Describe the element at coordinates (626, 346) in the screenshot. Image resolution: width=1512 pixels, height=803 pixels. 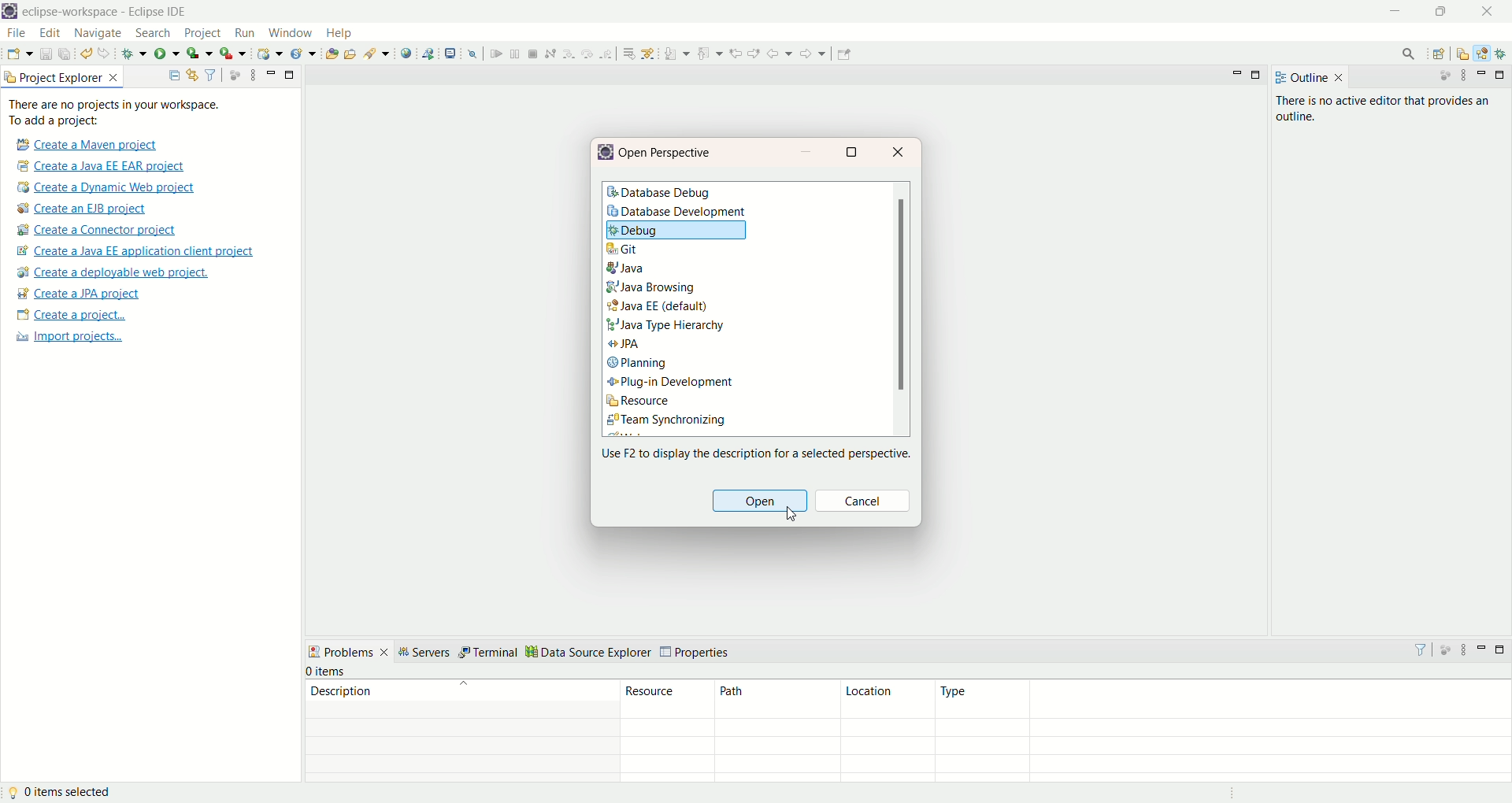
I see `JPA ` at that location.